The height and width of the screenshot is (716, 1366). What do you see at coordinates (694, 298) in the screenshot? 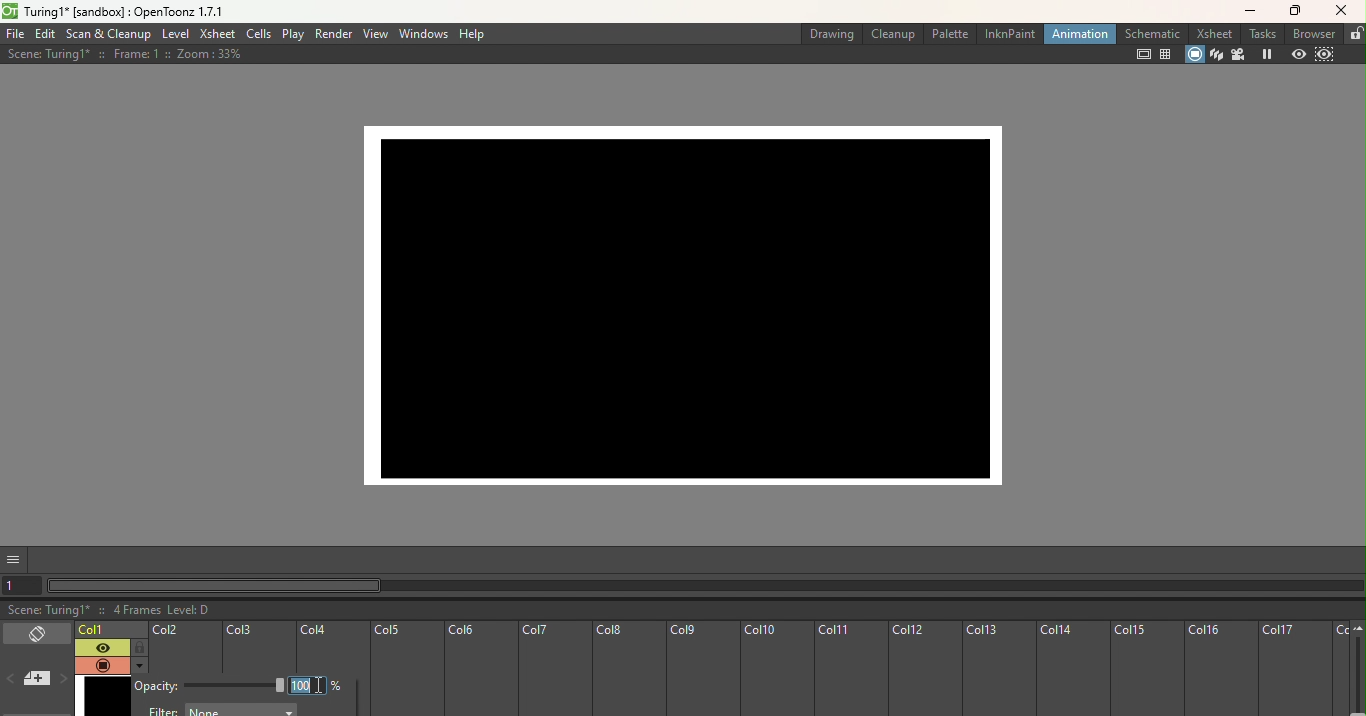
I see `Canvas` at bounding box center [694, 298].